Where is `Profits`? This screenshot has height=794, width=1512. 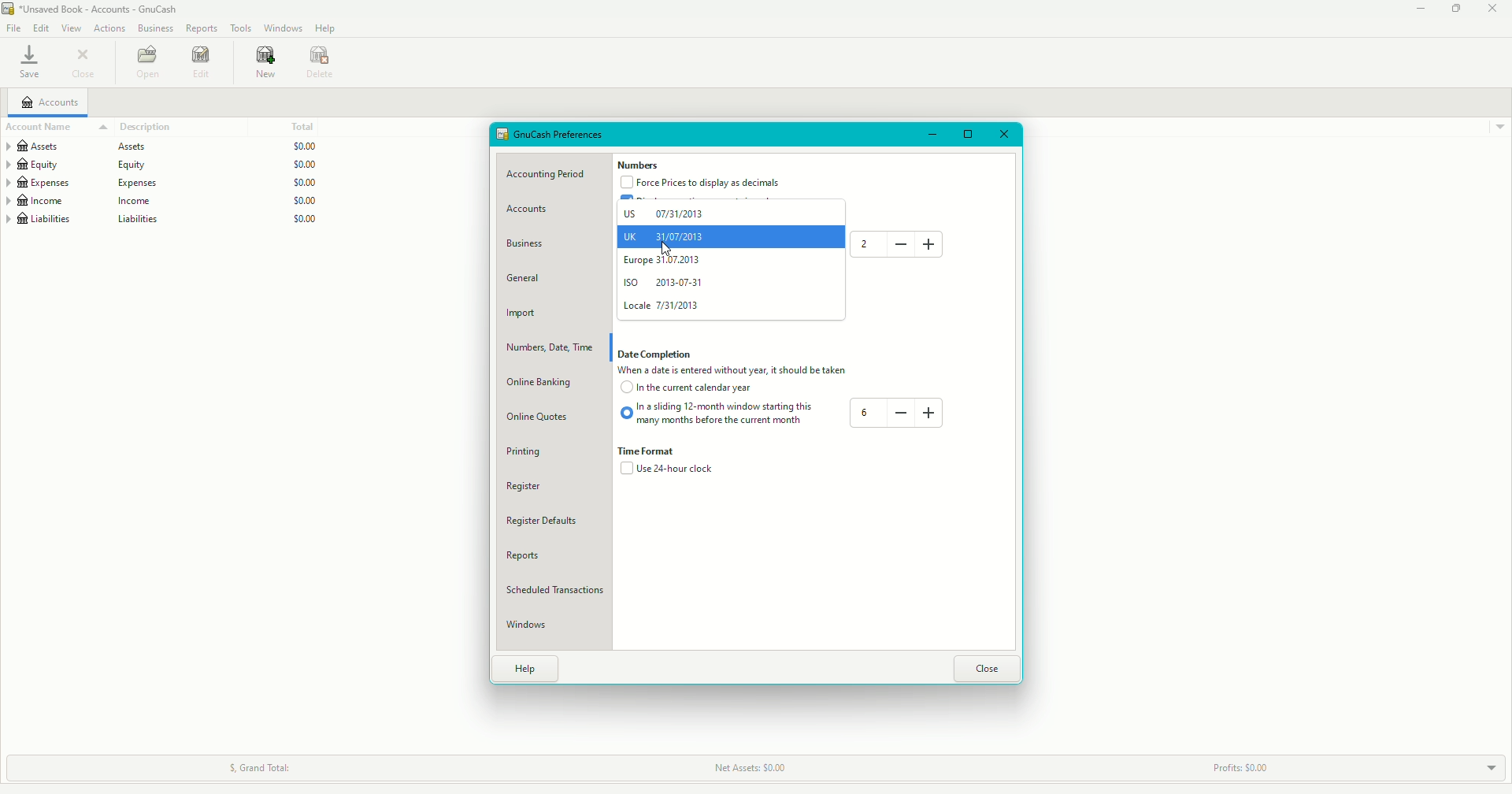
Profits is located at coordinates (1253, 763).